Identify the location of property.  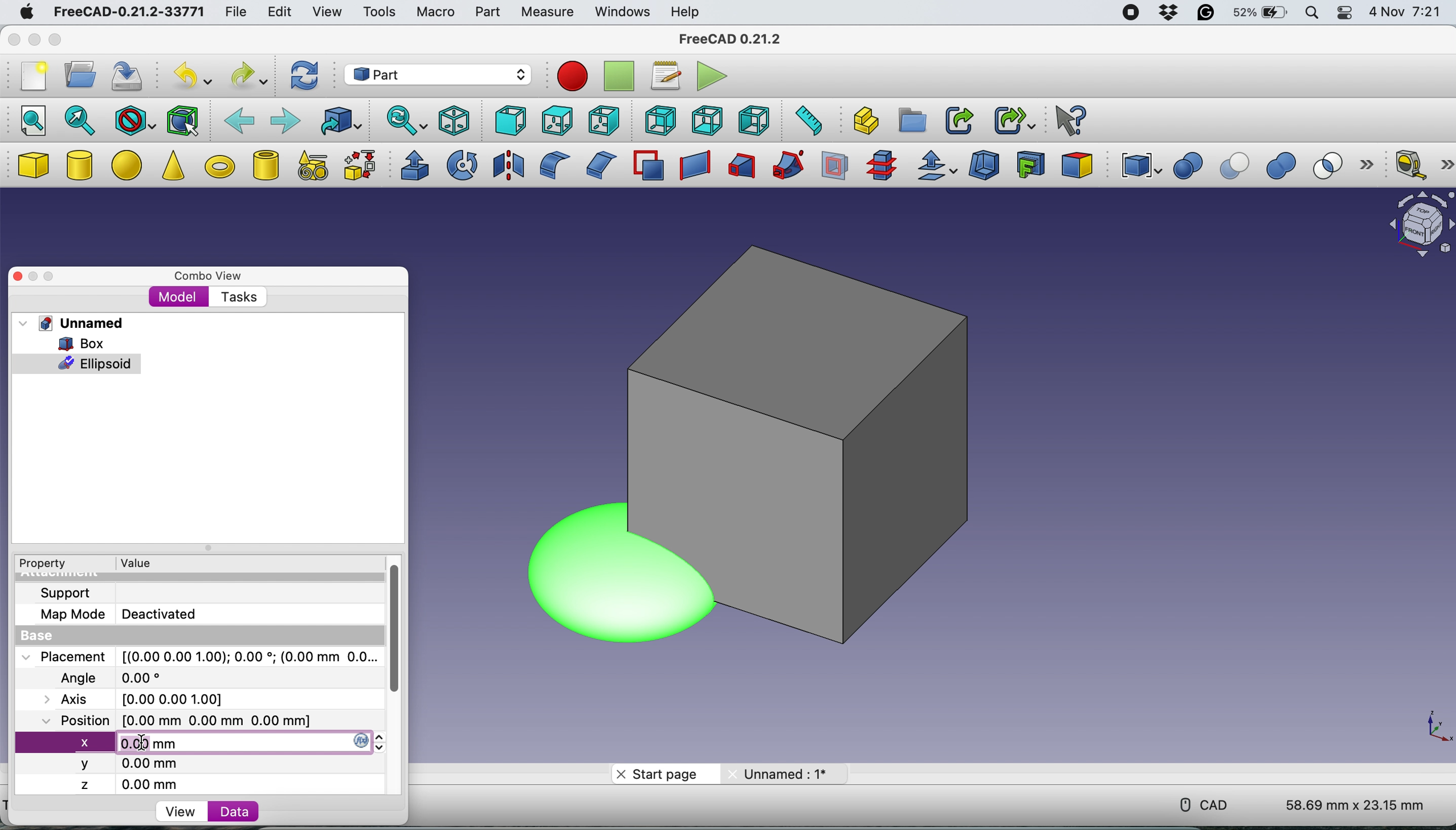
(41, 564).